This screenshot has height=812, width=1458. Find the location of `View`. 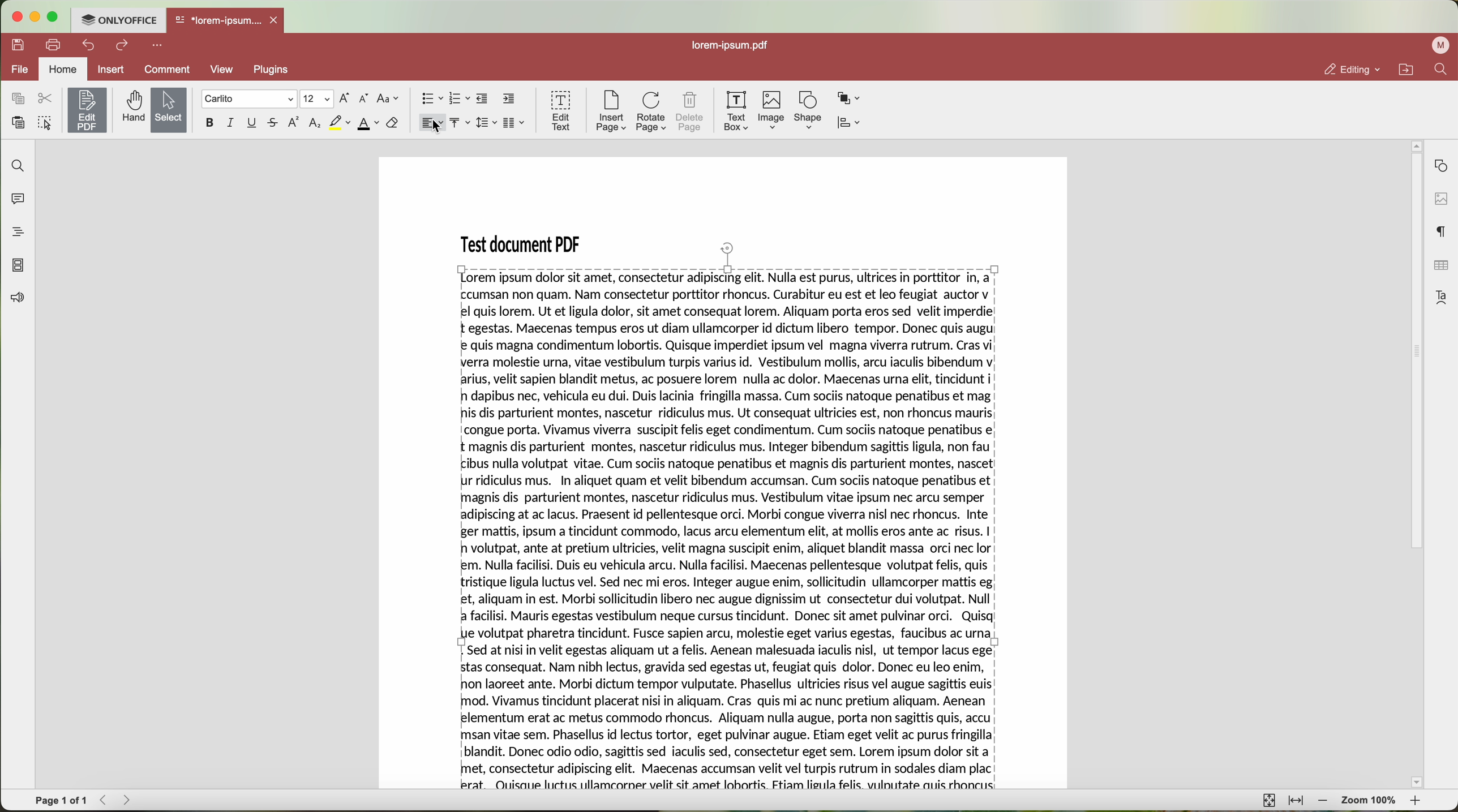

View is located at coordinates (225, 70).